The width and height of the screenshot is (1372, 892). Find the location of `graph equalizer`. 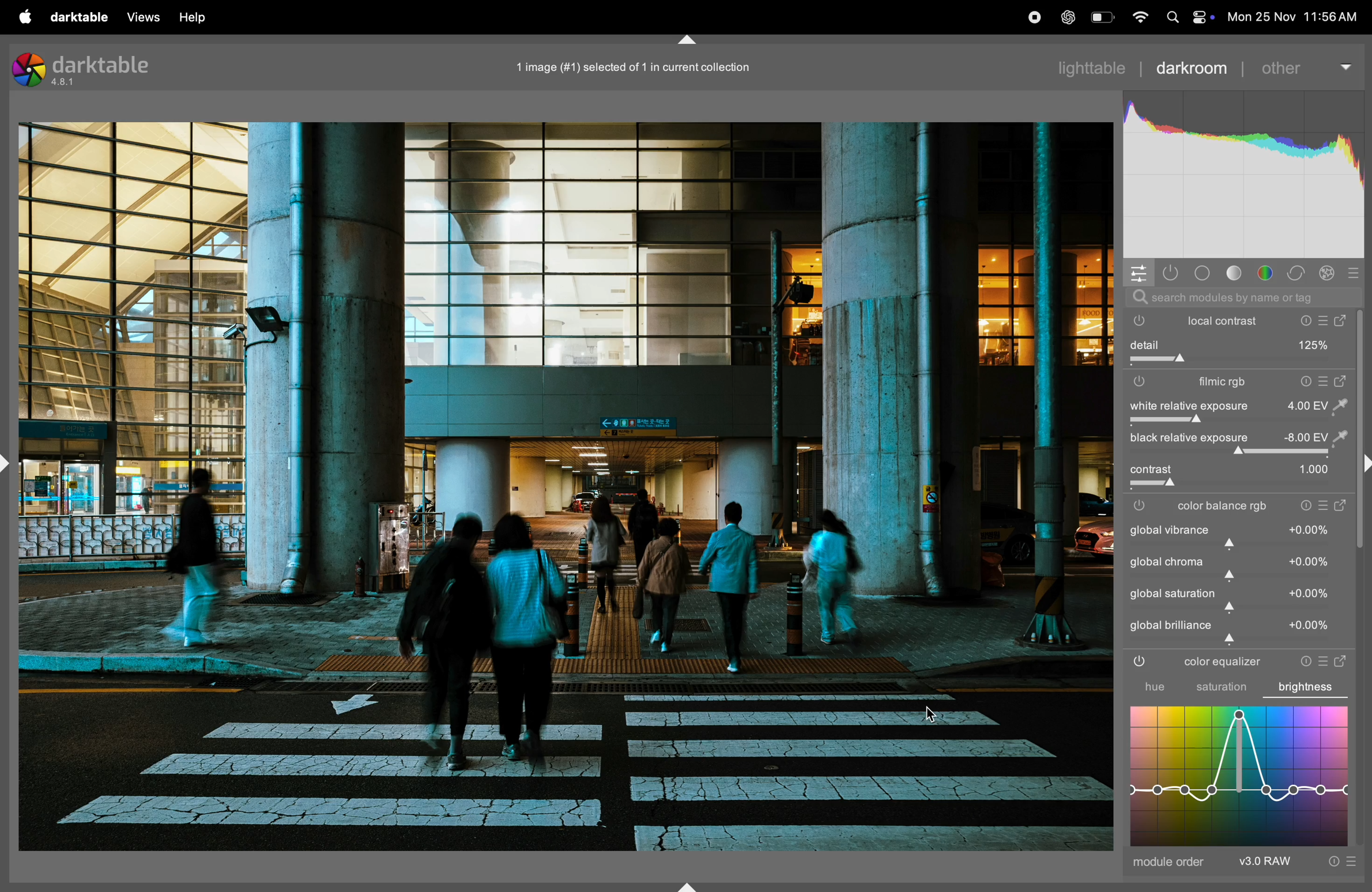

graph equalizer is located at coordinates (1239, 775).